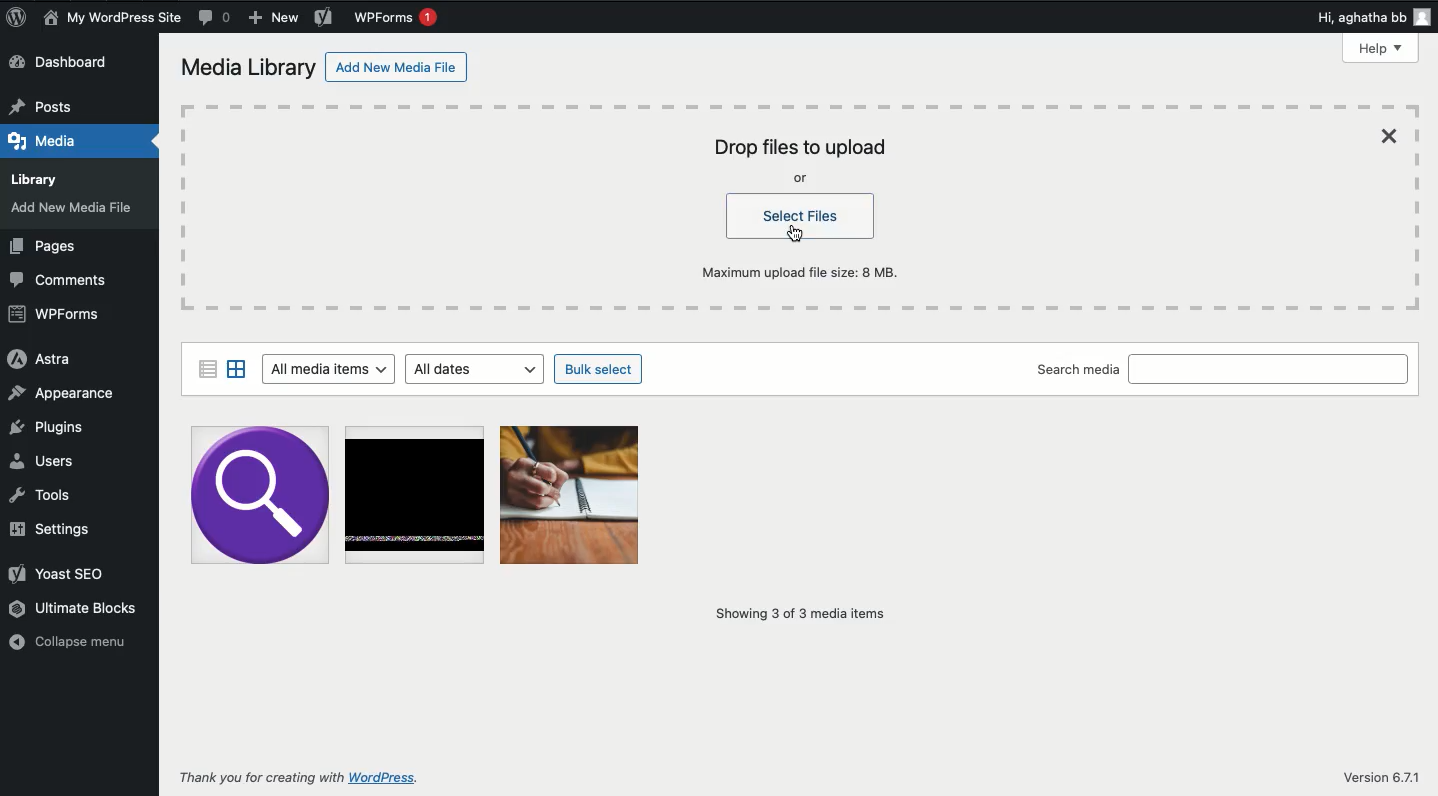 Image resolution: width=1438 pixels, height=796 pixels. What do you see at coordinates (800, 614) in the screenshot?
I see `Showing 3 of 3 media items` at bounding box center [800, 614].